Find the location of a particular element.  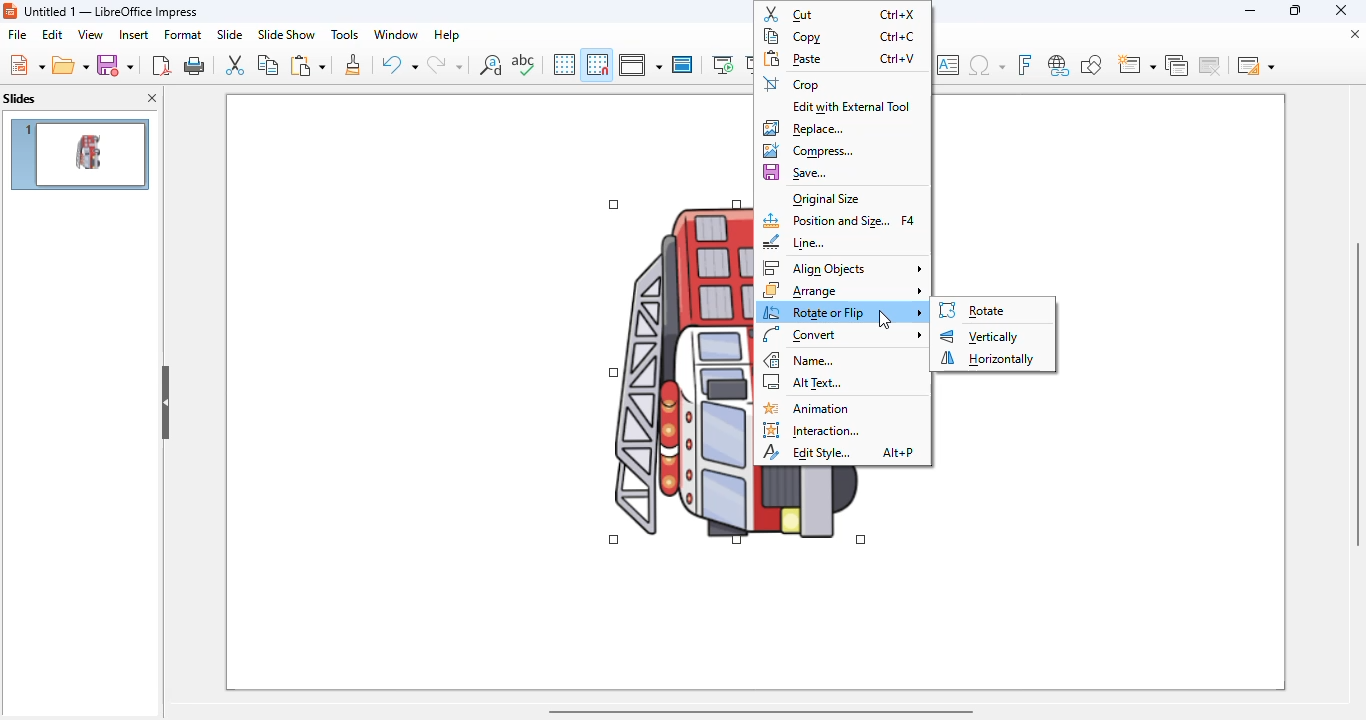

slide is located at coordinates (230, 34).